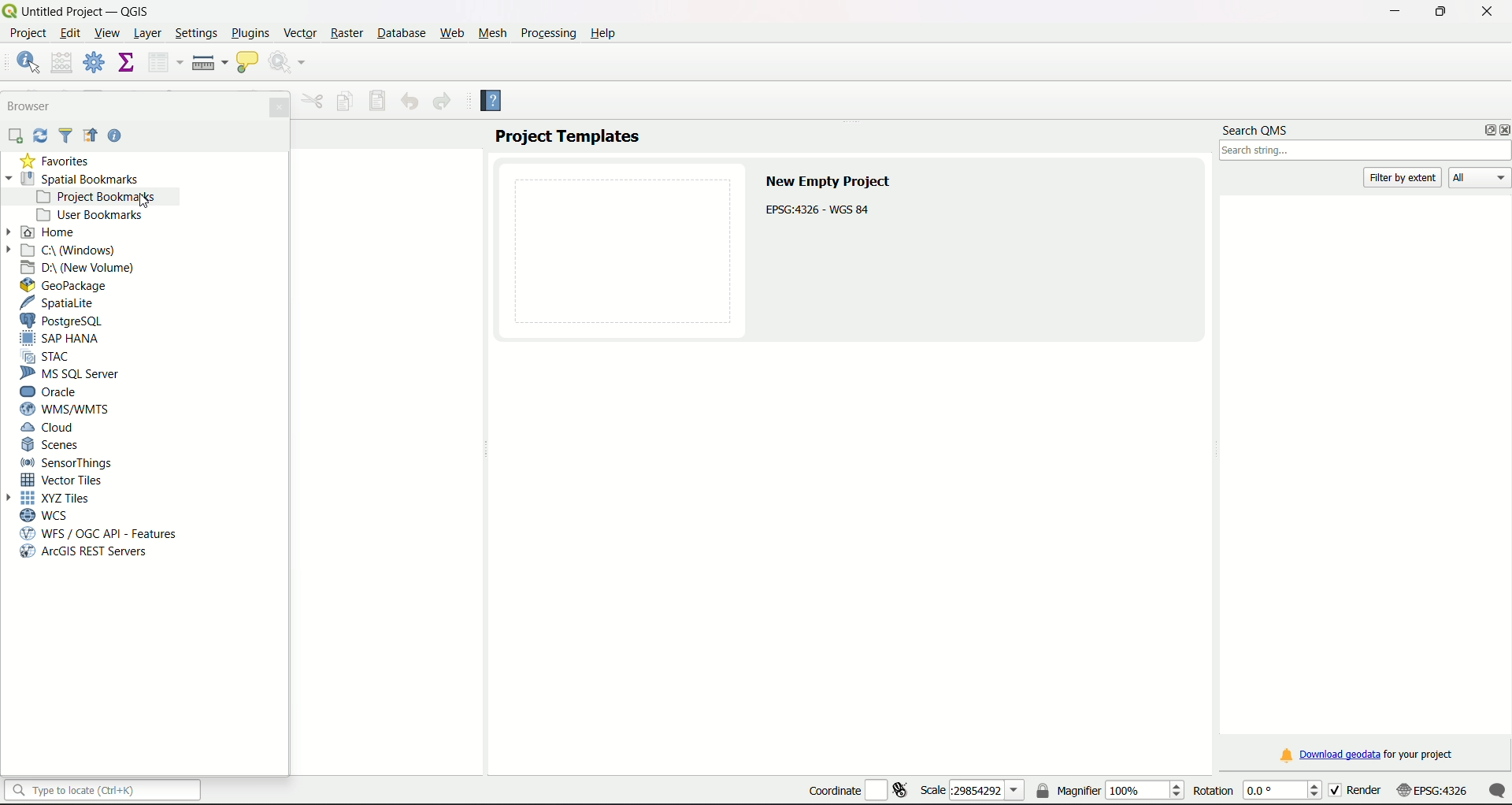 This screenshot has height=805, width=1512. I want to click on Web, so click(452, 33).